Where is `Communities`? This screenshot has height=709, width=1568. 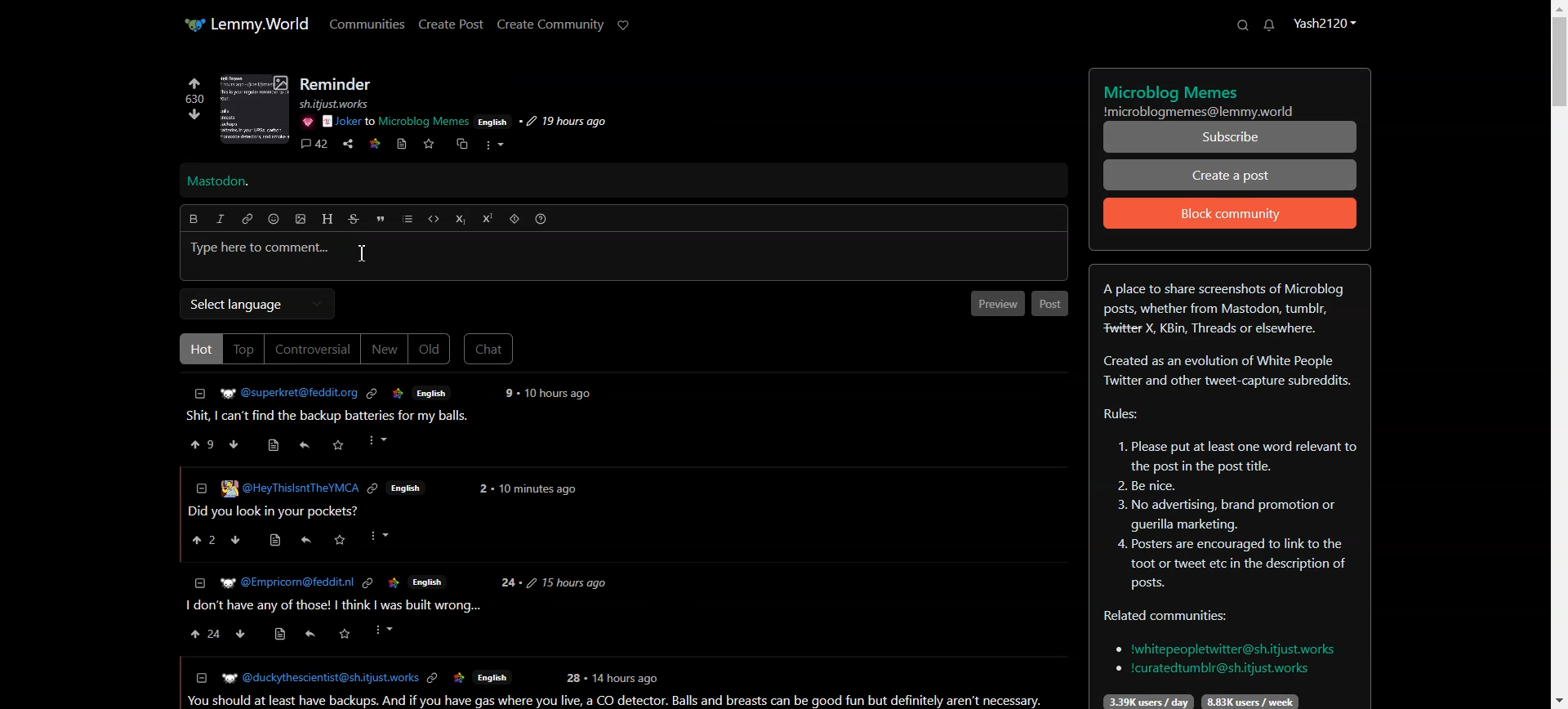 Communities is located at coordinates (367, 23).